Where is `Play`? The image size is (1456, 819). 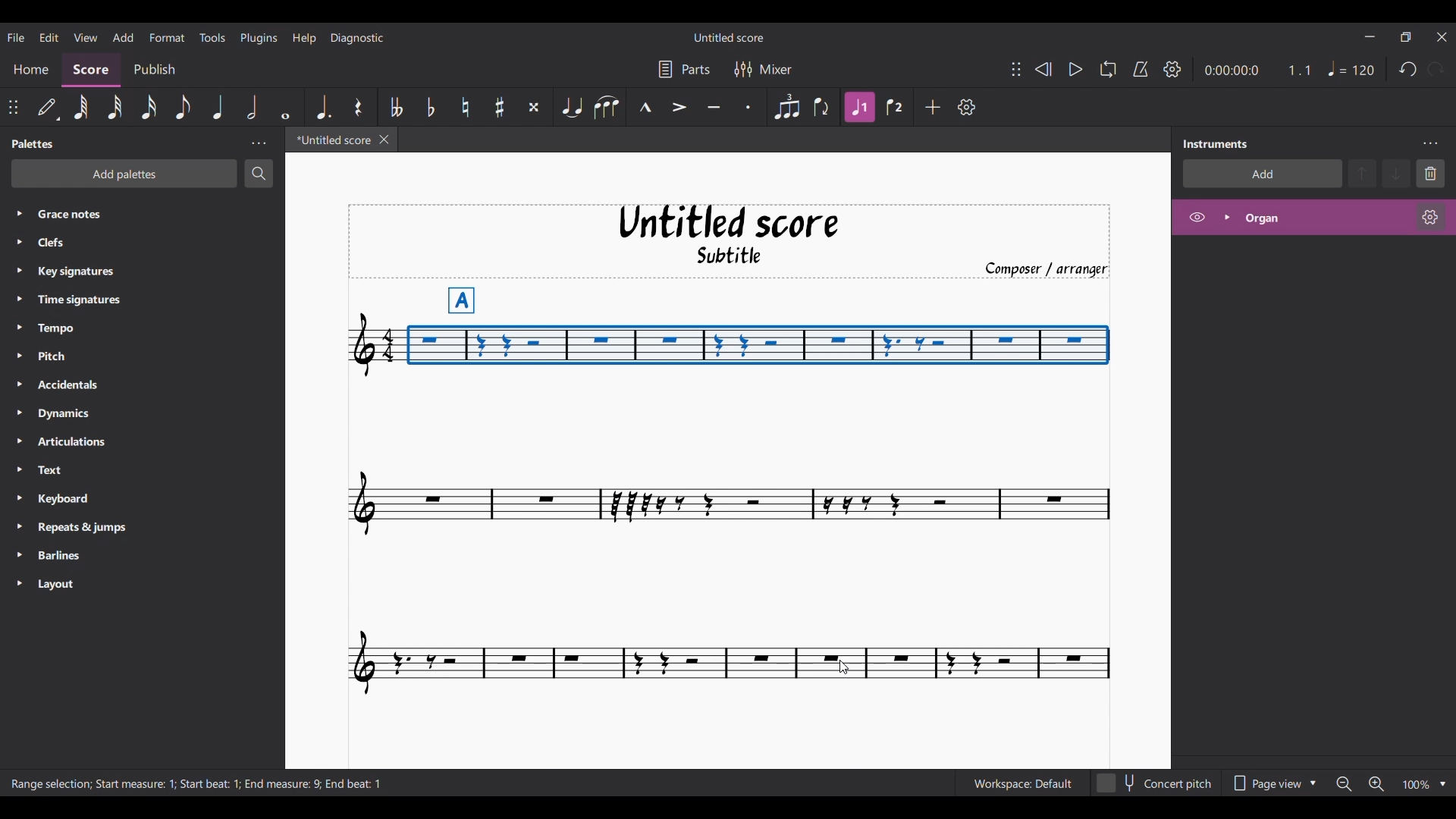 Play is located at coordinates (1075, 69).